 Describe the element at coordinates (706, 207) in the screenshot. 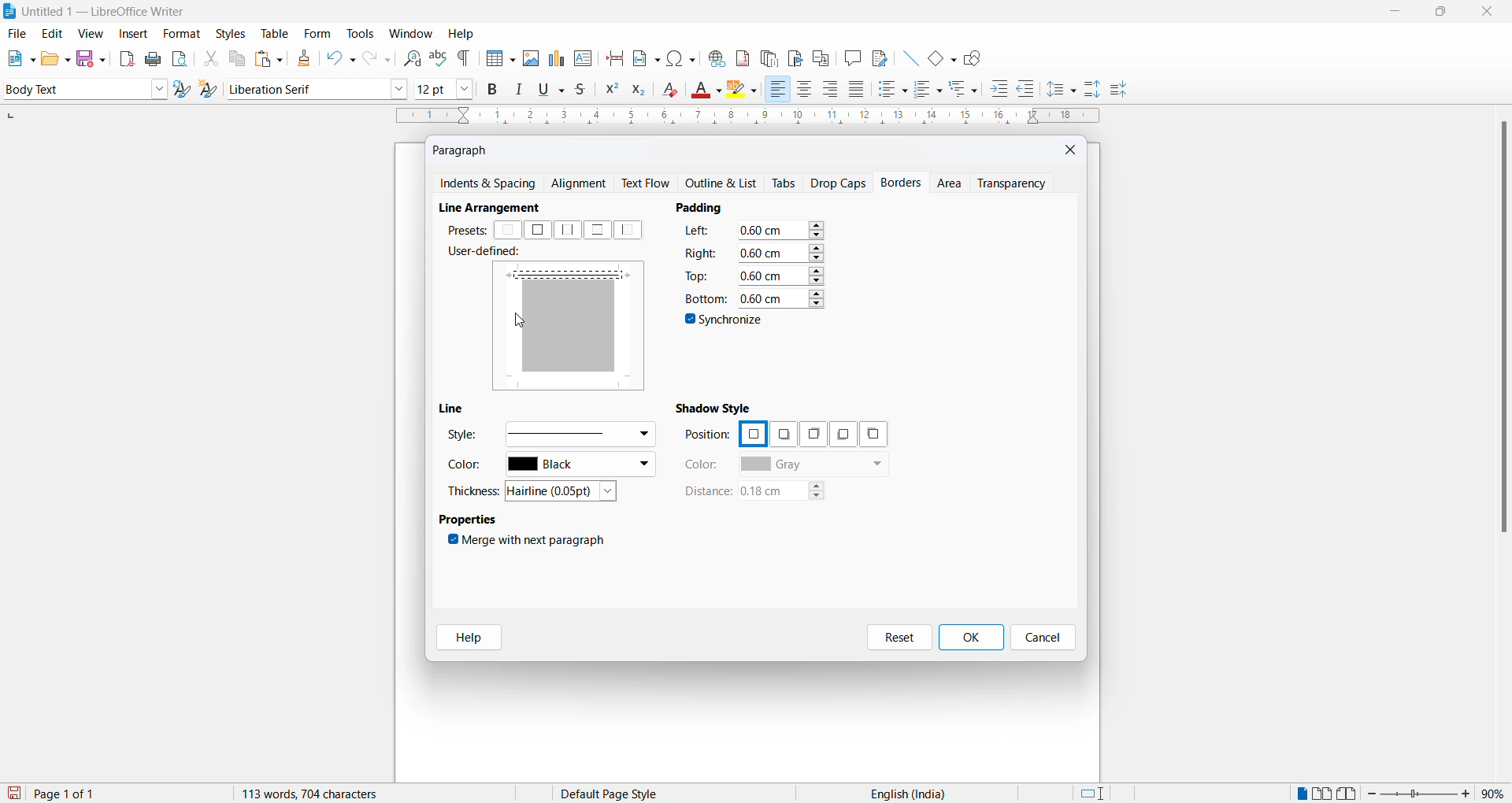

I see `padding` at that location.